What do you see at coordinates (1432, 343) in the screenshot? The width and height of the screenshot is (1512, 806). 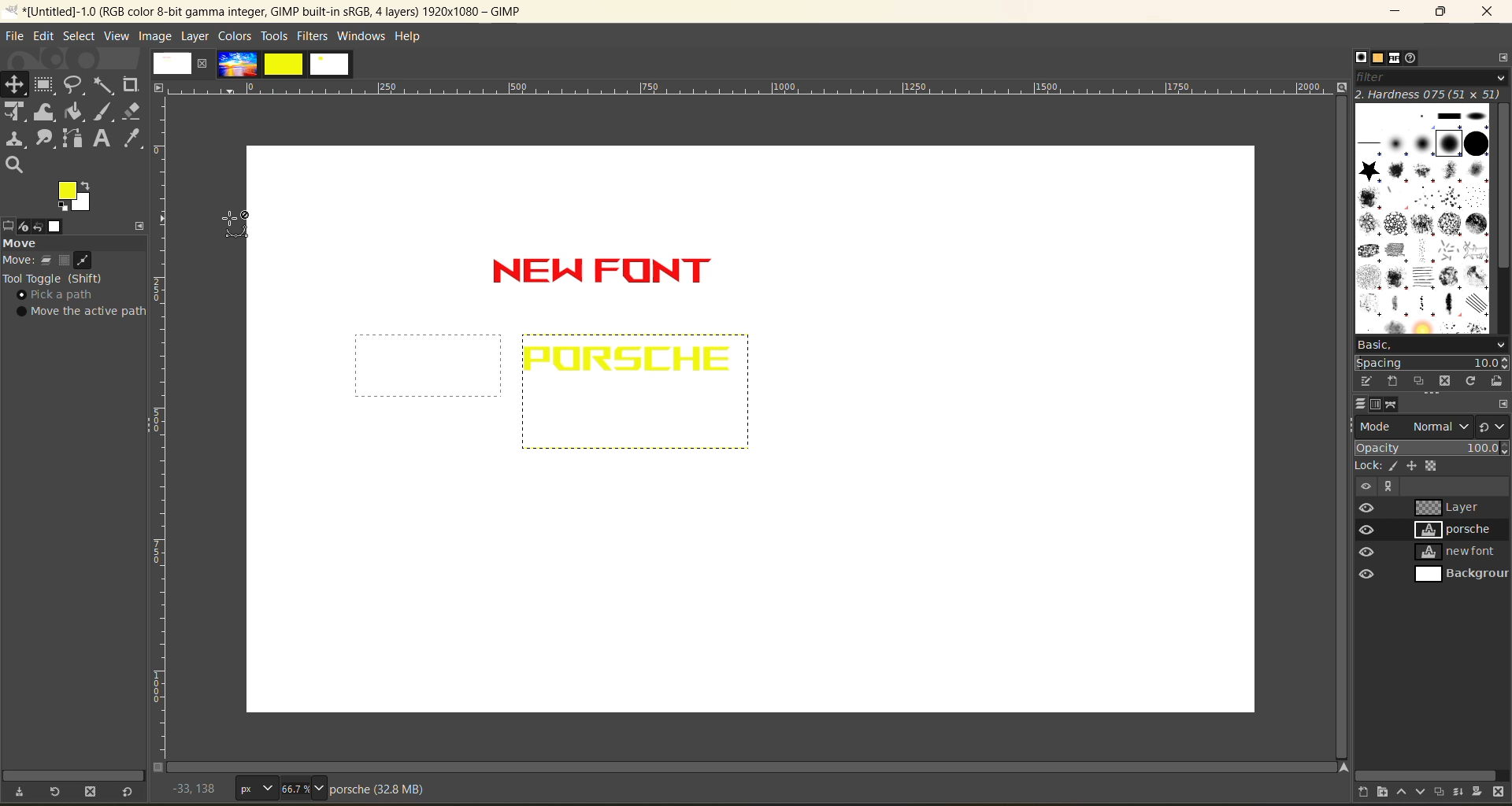 I see `basic` at bounding box center [1432, 343].